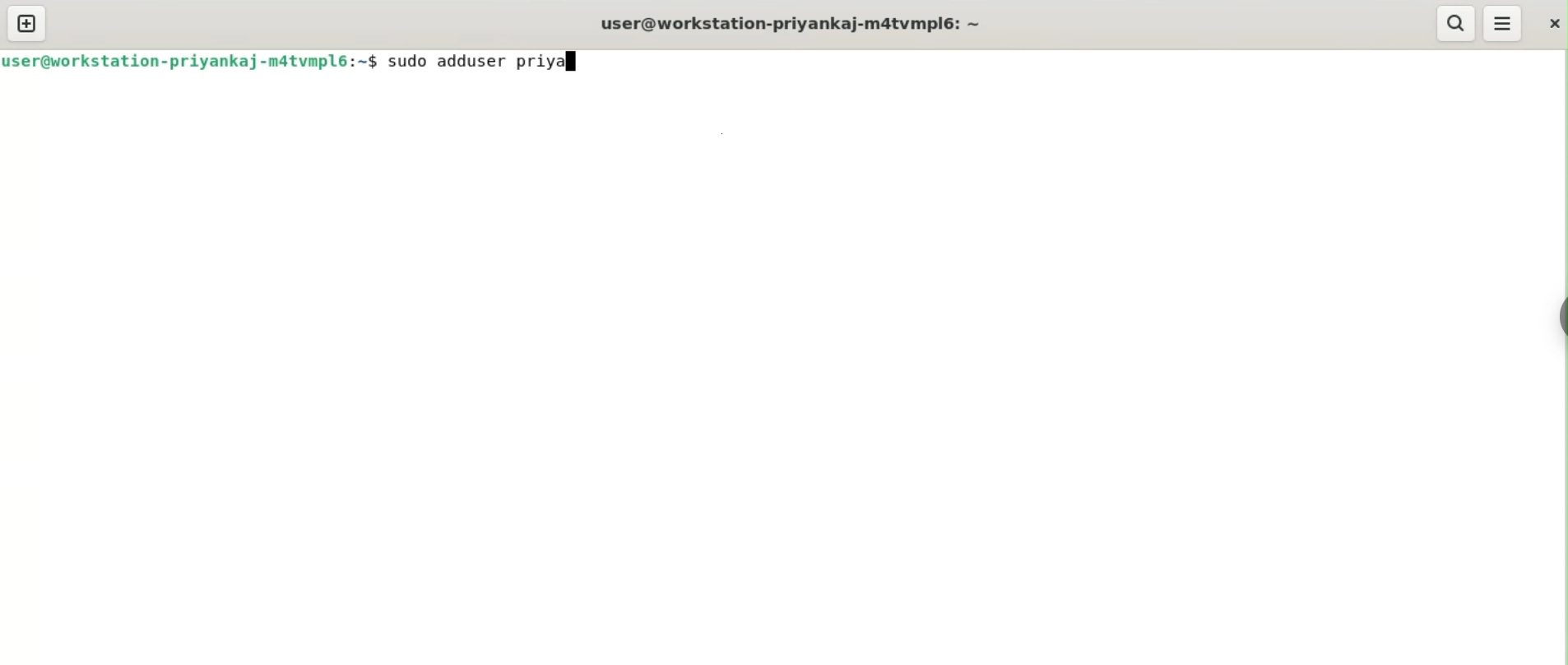  Describe the element at coordinates (1560, 318) in the screenshot. I see `sidebar` at that location.